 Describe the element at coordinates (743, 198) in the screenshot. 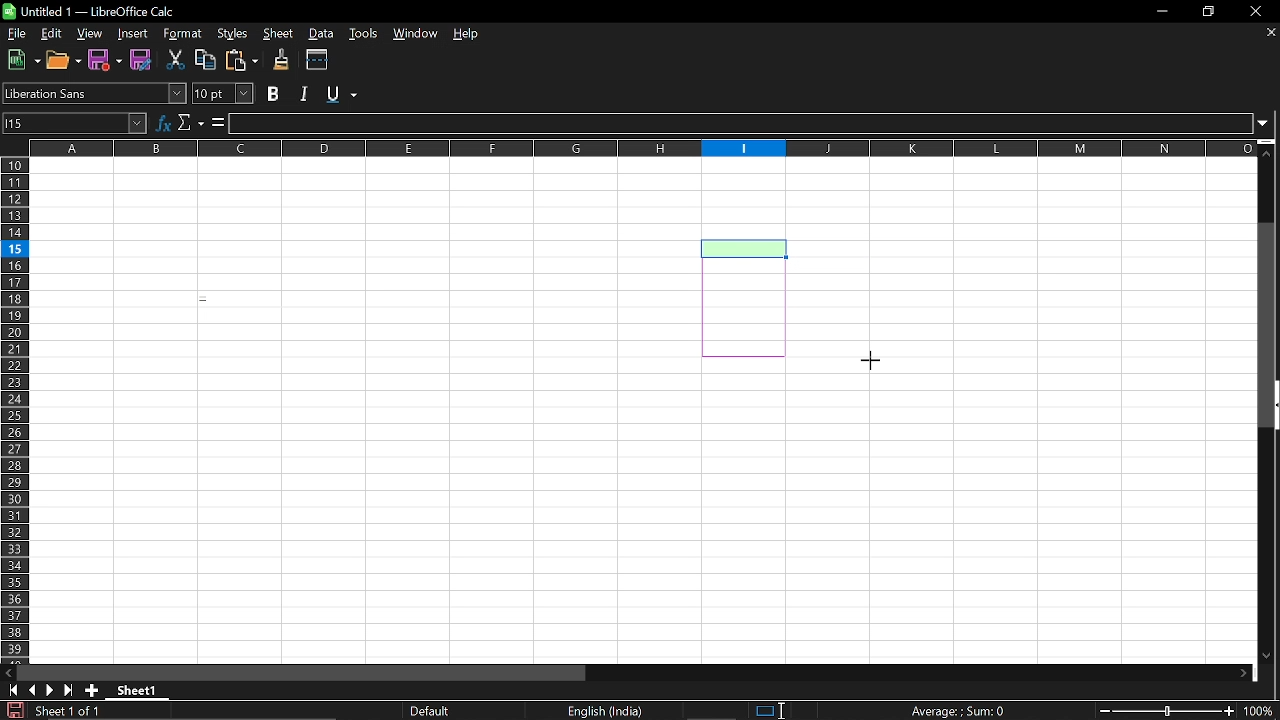

I see `Fillable cell` at that location.